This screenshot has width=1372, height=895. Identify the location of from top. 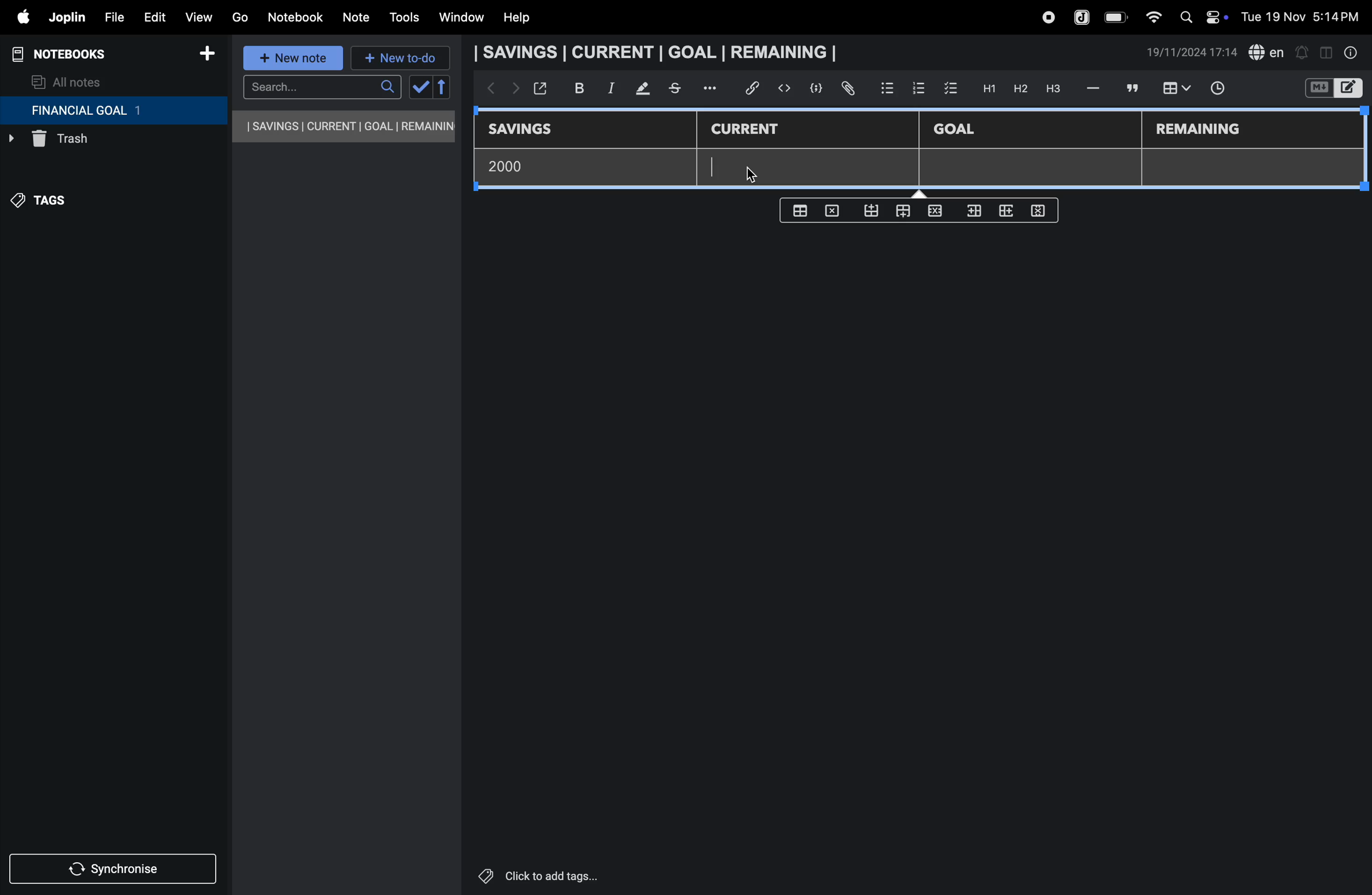
(900, 212).